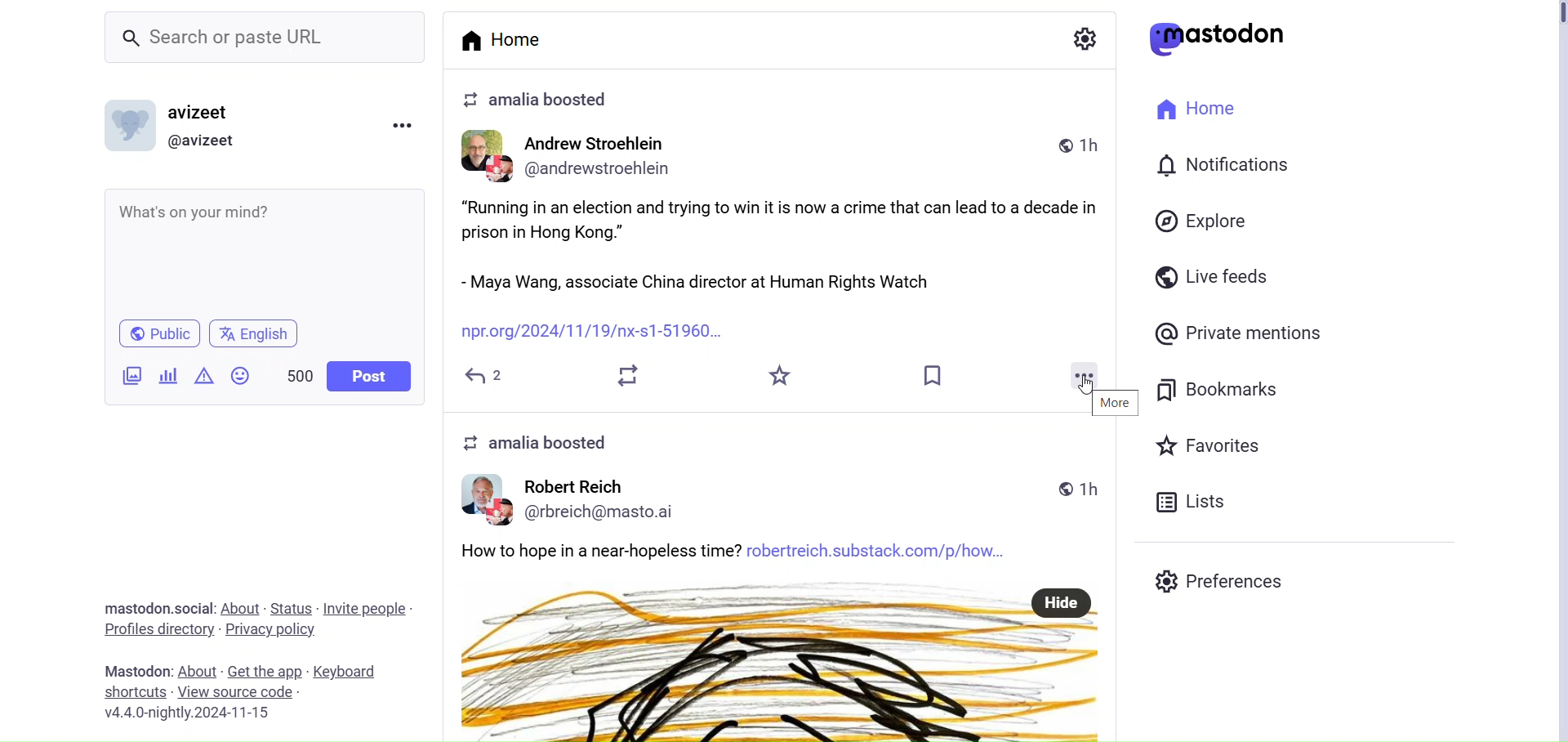 Image resolution: width=1568 pixels, height=742 pixels. I want to click on Private Mentions, so click(1241, 334).